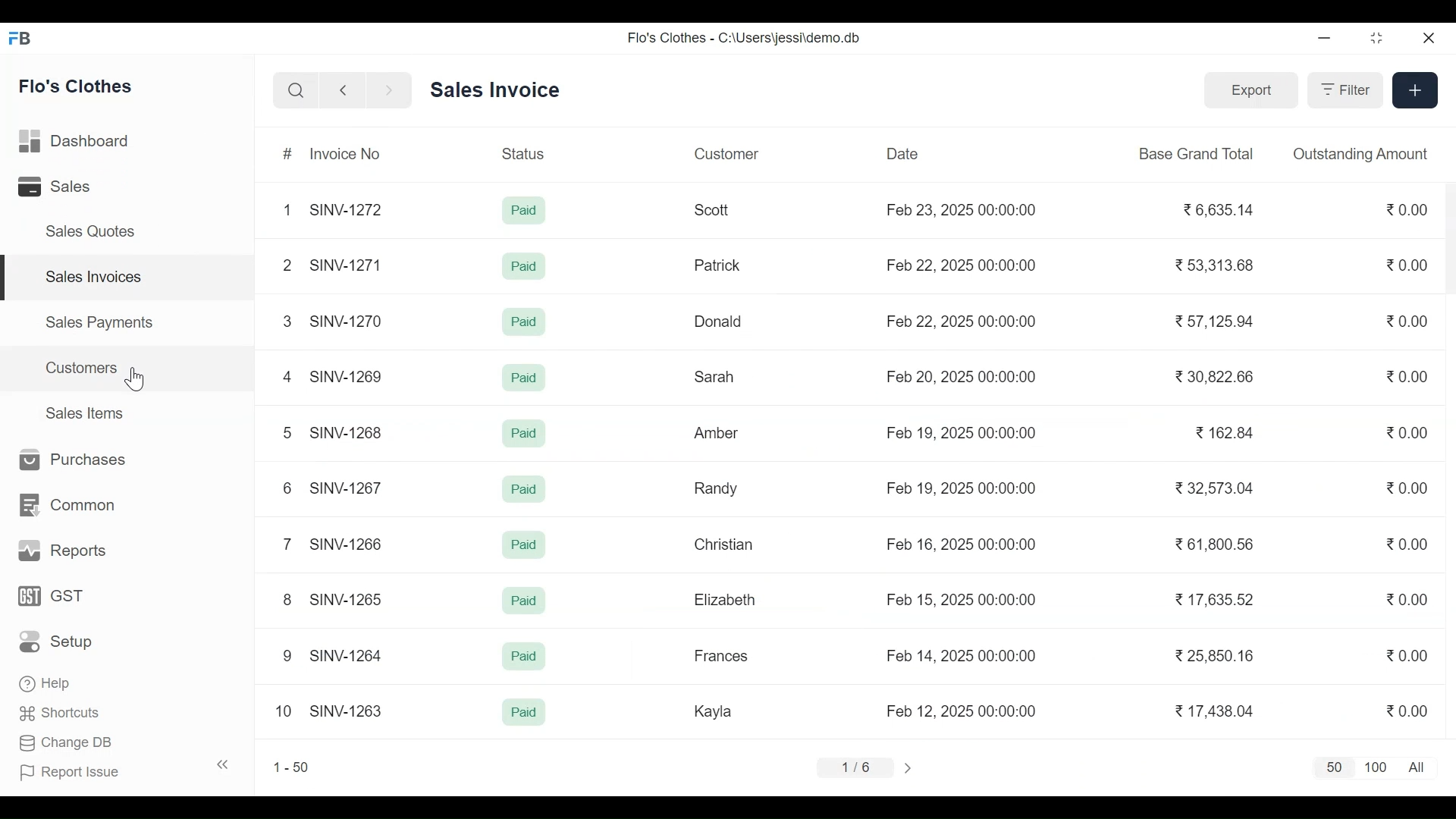 The width and height of the screenshot is (1456, 819). Describe the element at coordinates (1213, 320) in the screenshot. I see `57,125.94` at that location.